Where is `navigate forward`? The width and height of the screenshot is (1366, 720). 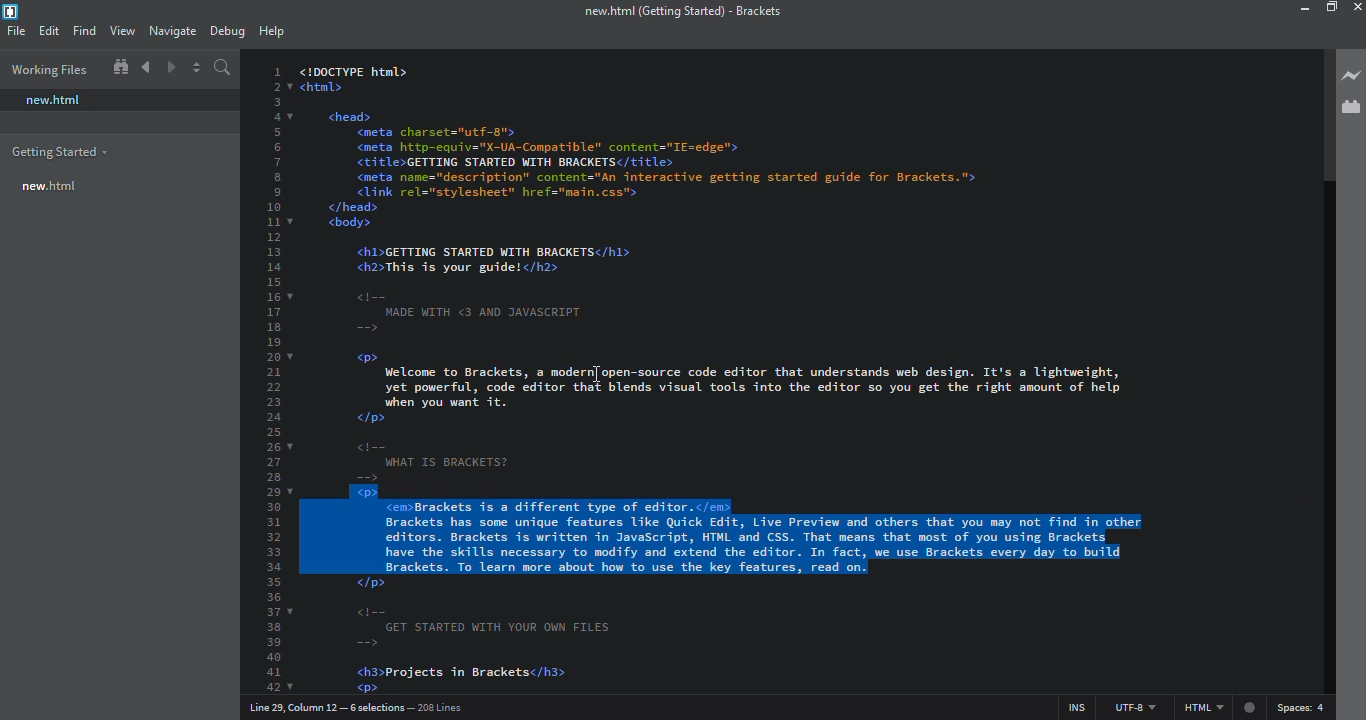 navigate forward is located at coordinates (173, 67).